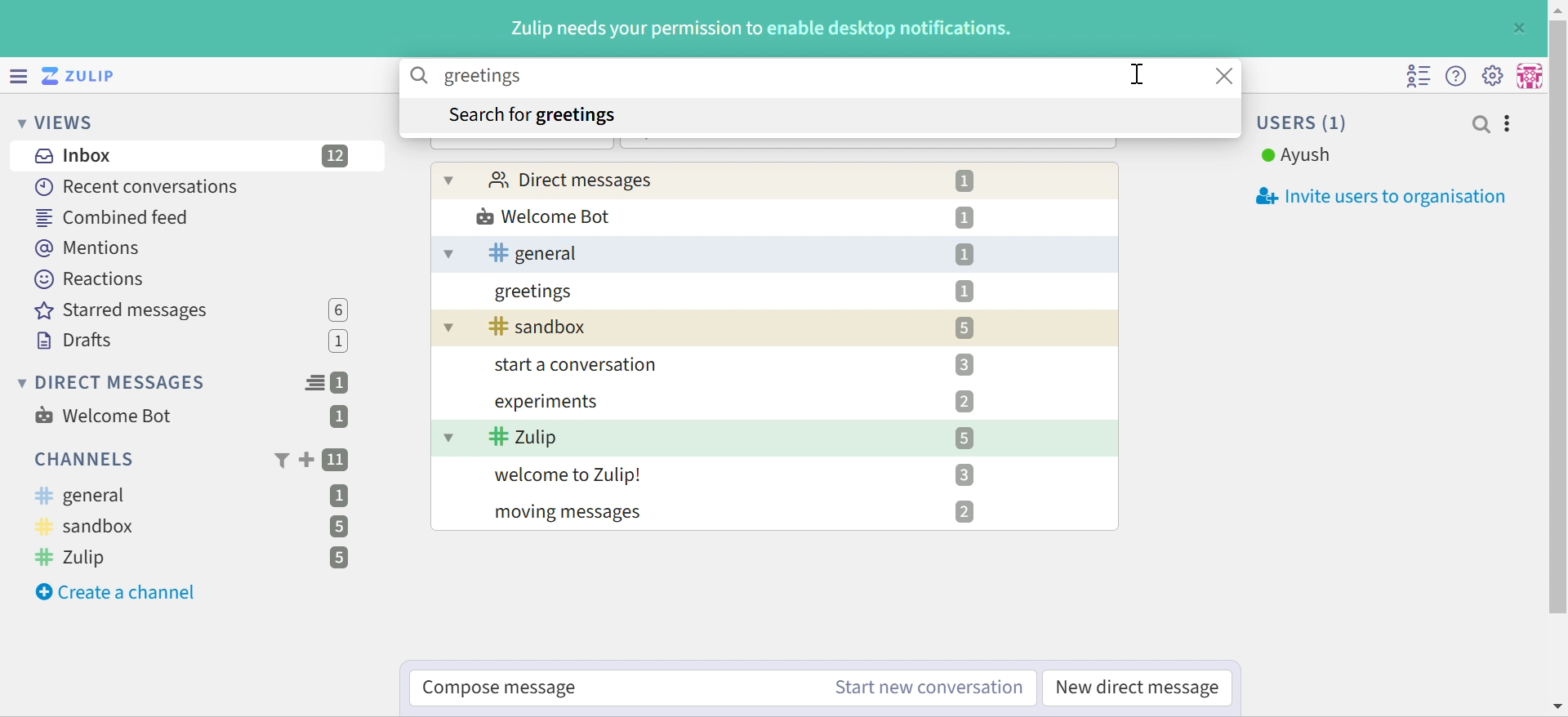  I want to click on 1, so click(343, 383).